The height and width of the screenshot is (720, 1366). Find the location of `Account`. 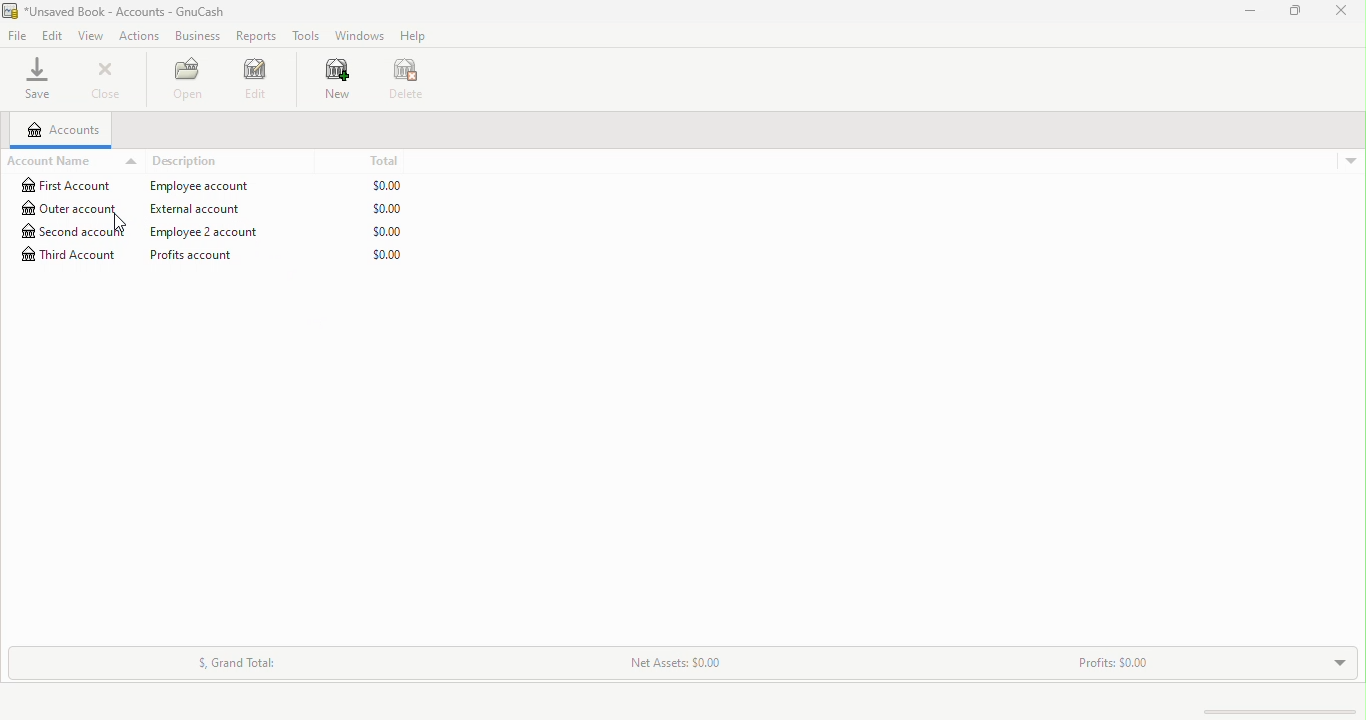

Account is located at coordinates (61, 130).